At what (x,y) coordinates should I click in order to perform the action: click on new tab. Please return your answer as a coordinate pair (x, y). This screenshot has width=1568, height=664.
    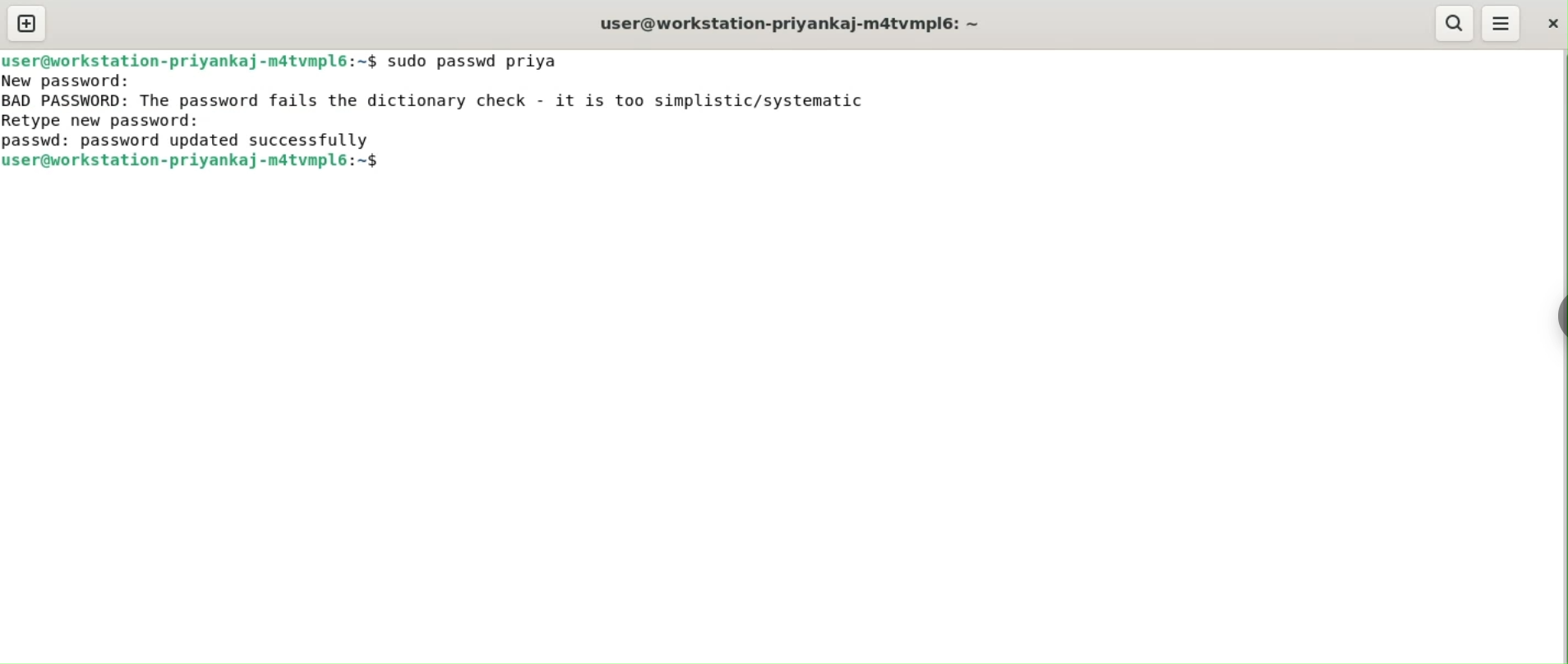
    Looking at the image, I should click on (26, 23).